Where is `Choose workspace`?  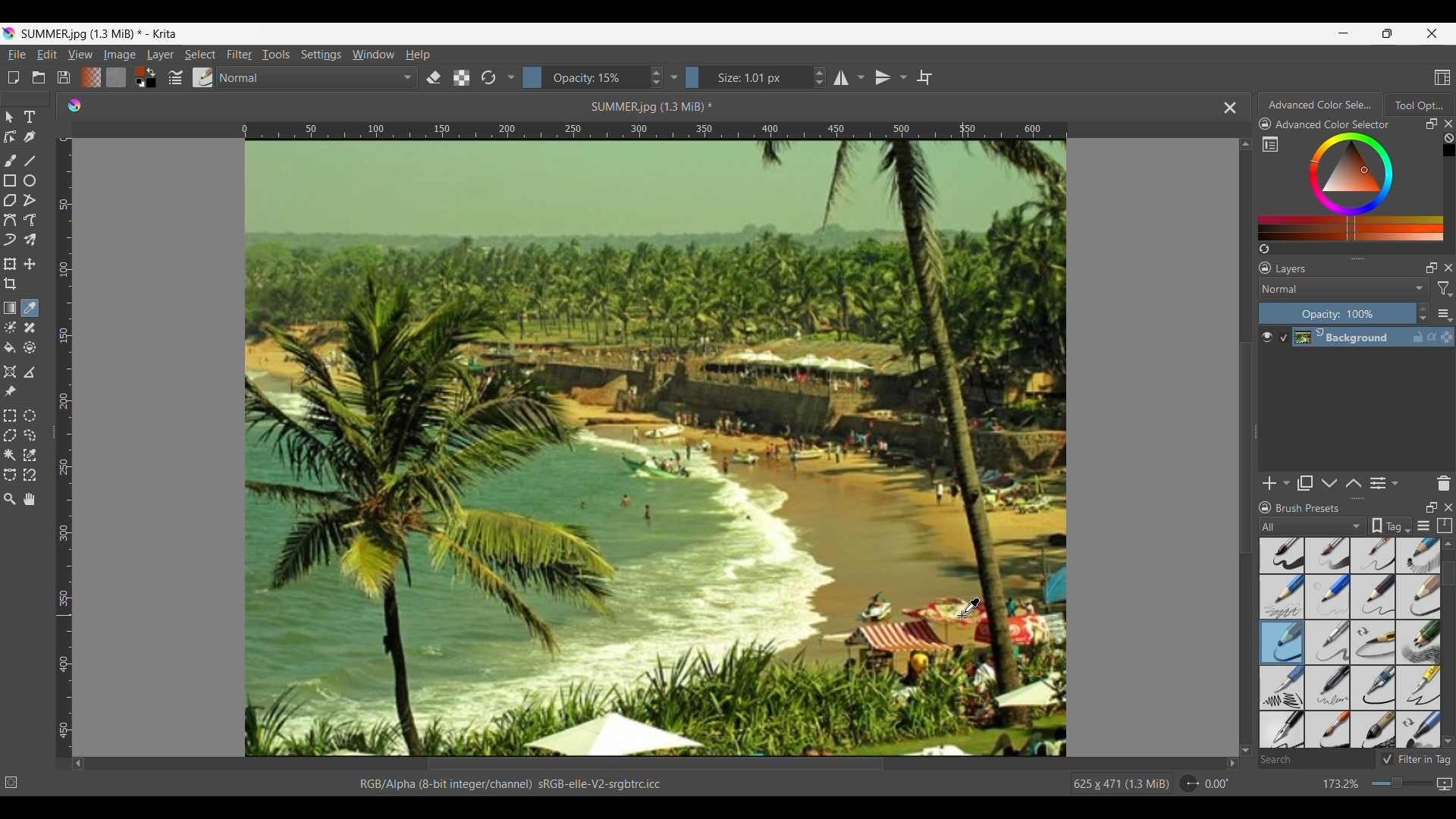 Choose workspace is located at coordinates (1442, 77).